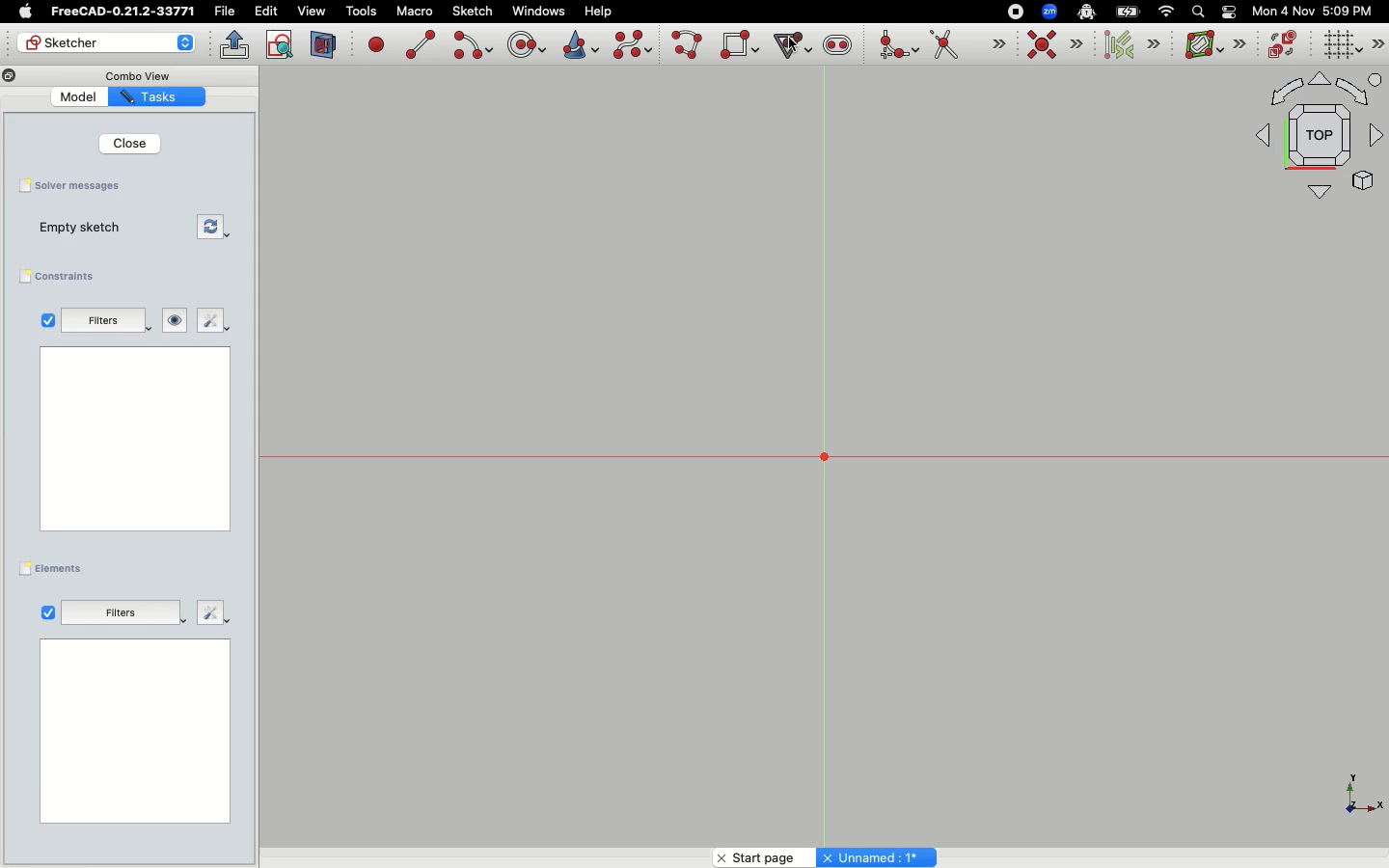  What do you see at coordinates (837, 436) in the screenshot?
I see `Grid` at bounding box center [837, 436].